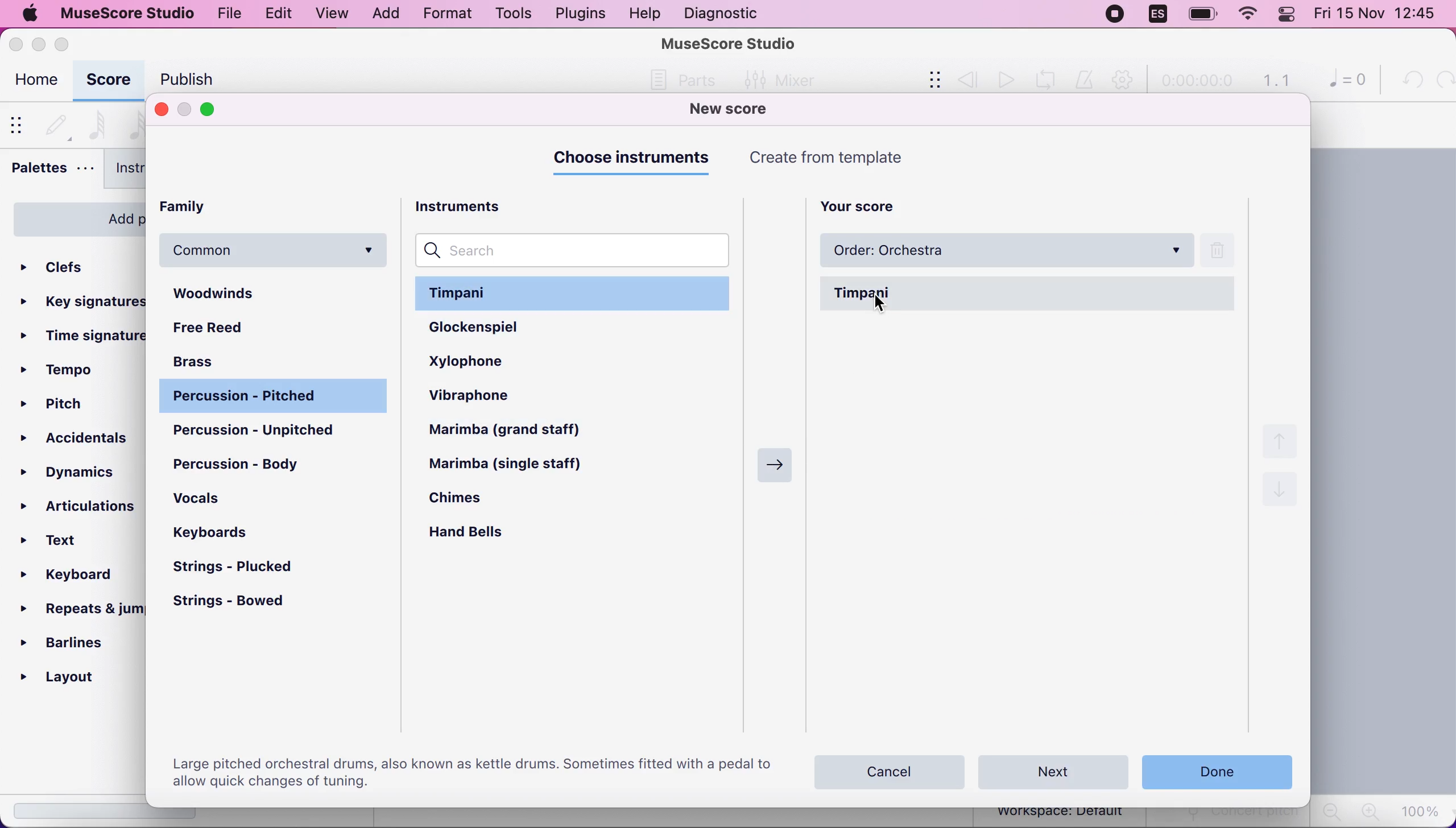  What do you see at coordinates (214, 503) in the screenshot?
I see `vocals` at bounding box center [214, 503].